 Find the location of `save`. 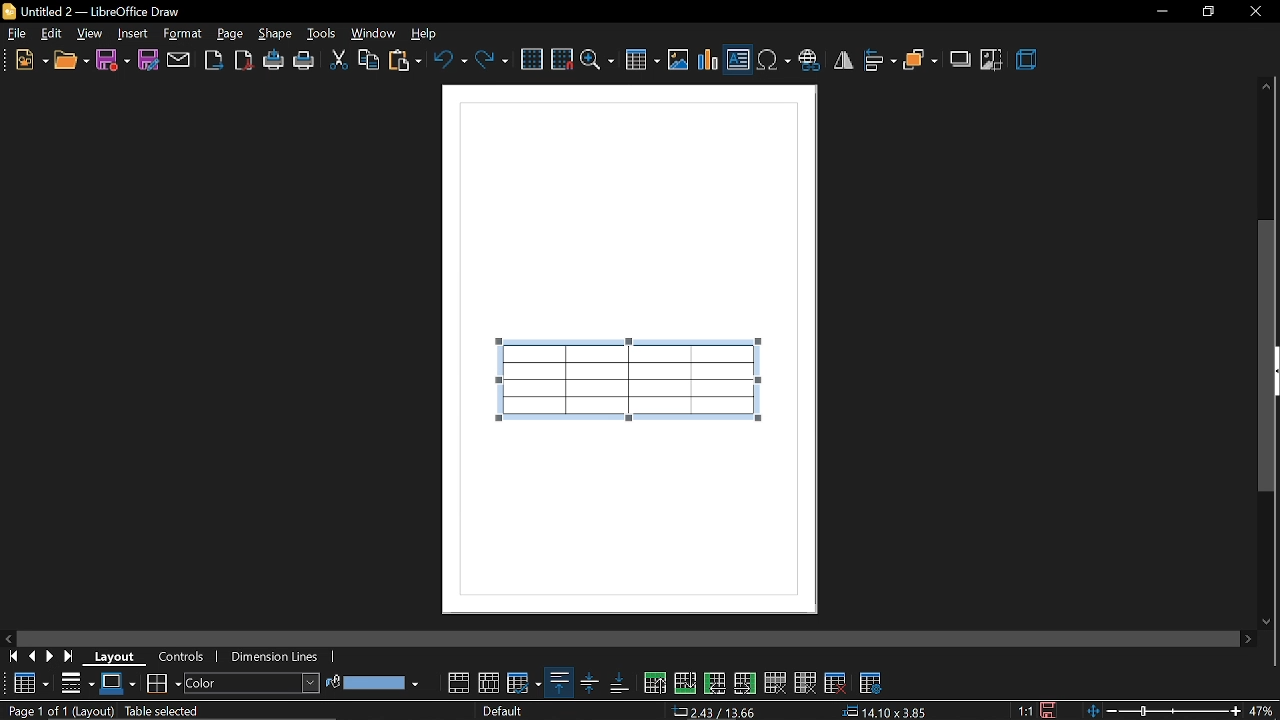

save is located at coordinates (1050, 709).